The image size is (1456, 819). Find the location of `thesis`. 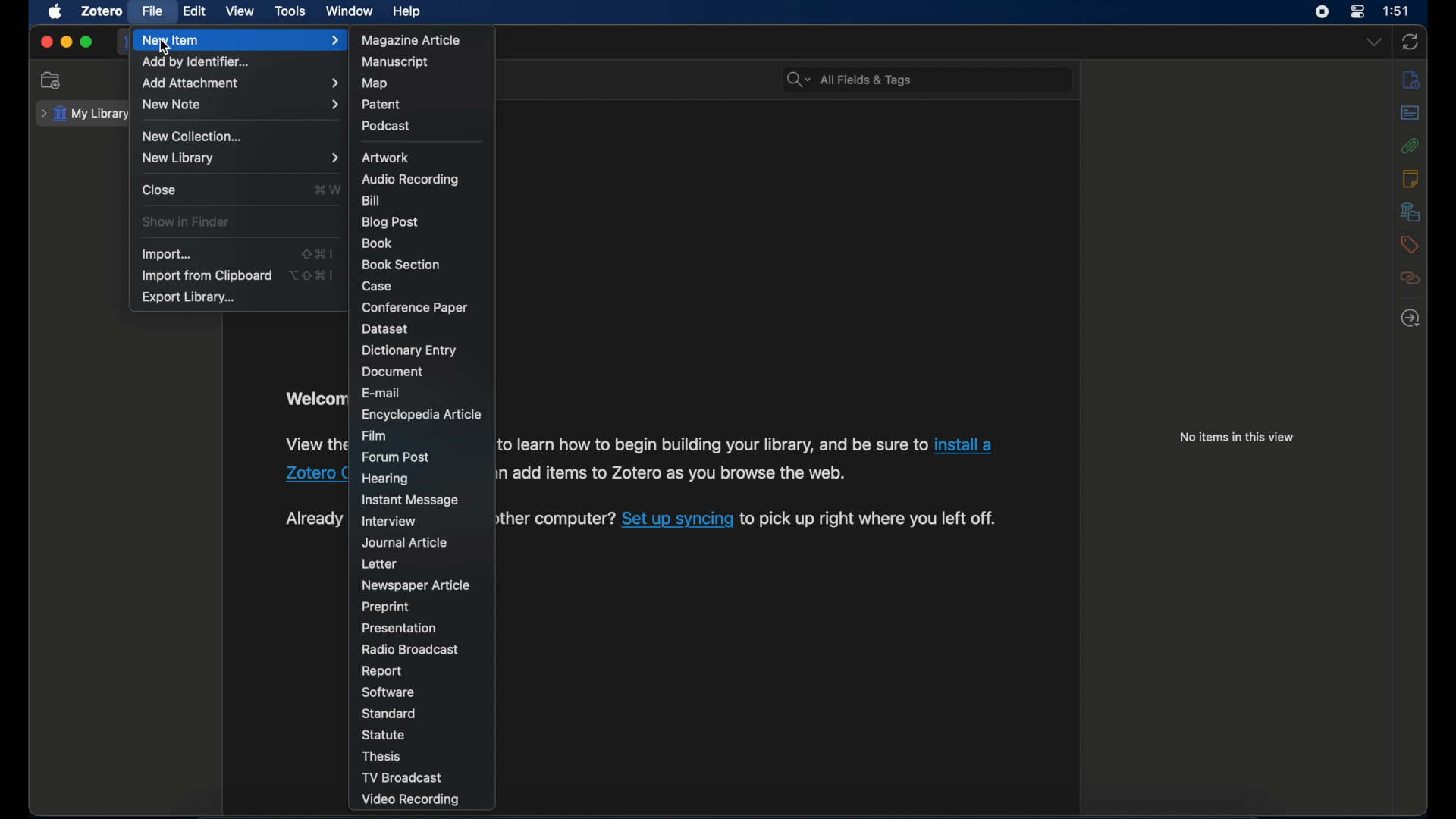

thesis is located at coordinates (383, 756).